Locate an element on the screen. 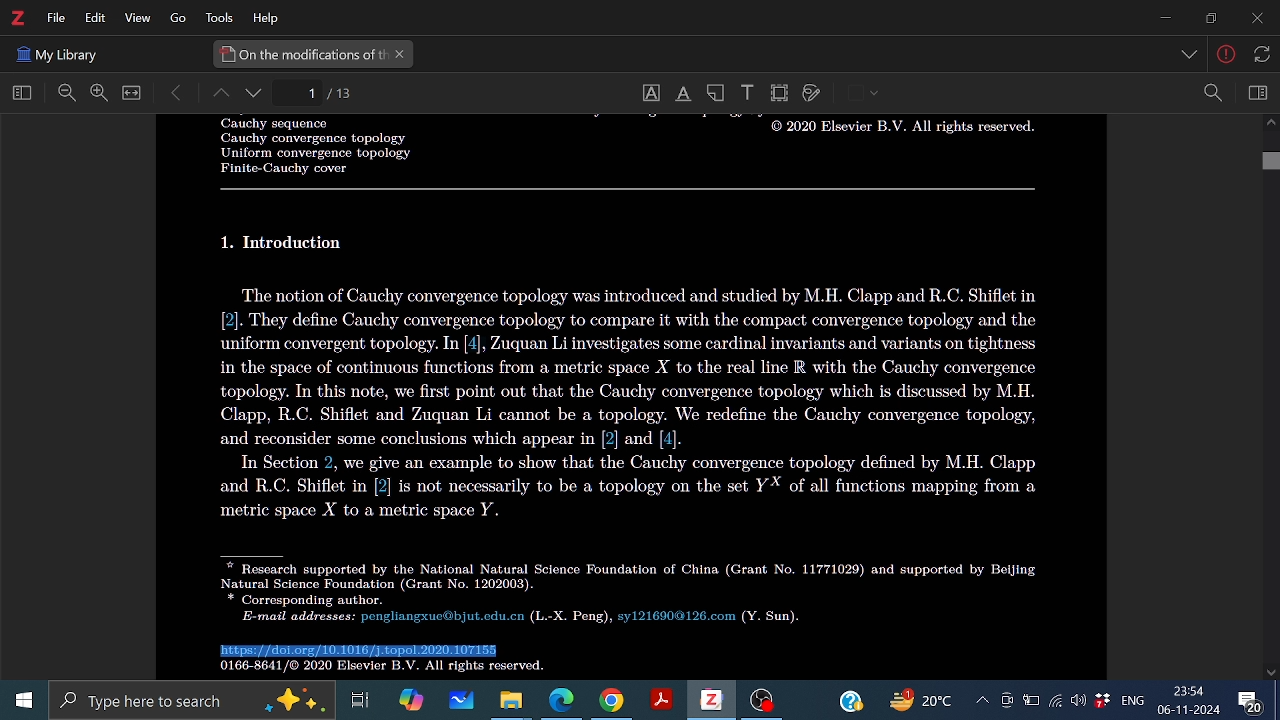 The height and width of the screenshot is (720, 1280). language is located at coordinates (1130, 699).